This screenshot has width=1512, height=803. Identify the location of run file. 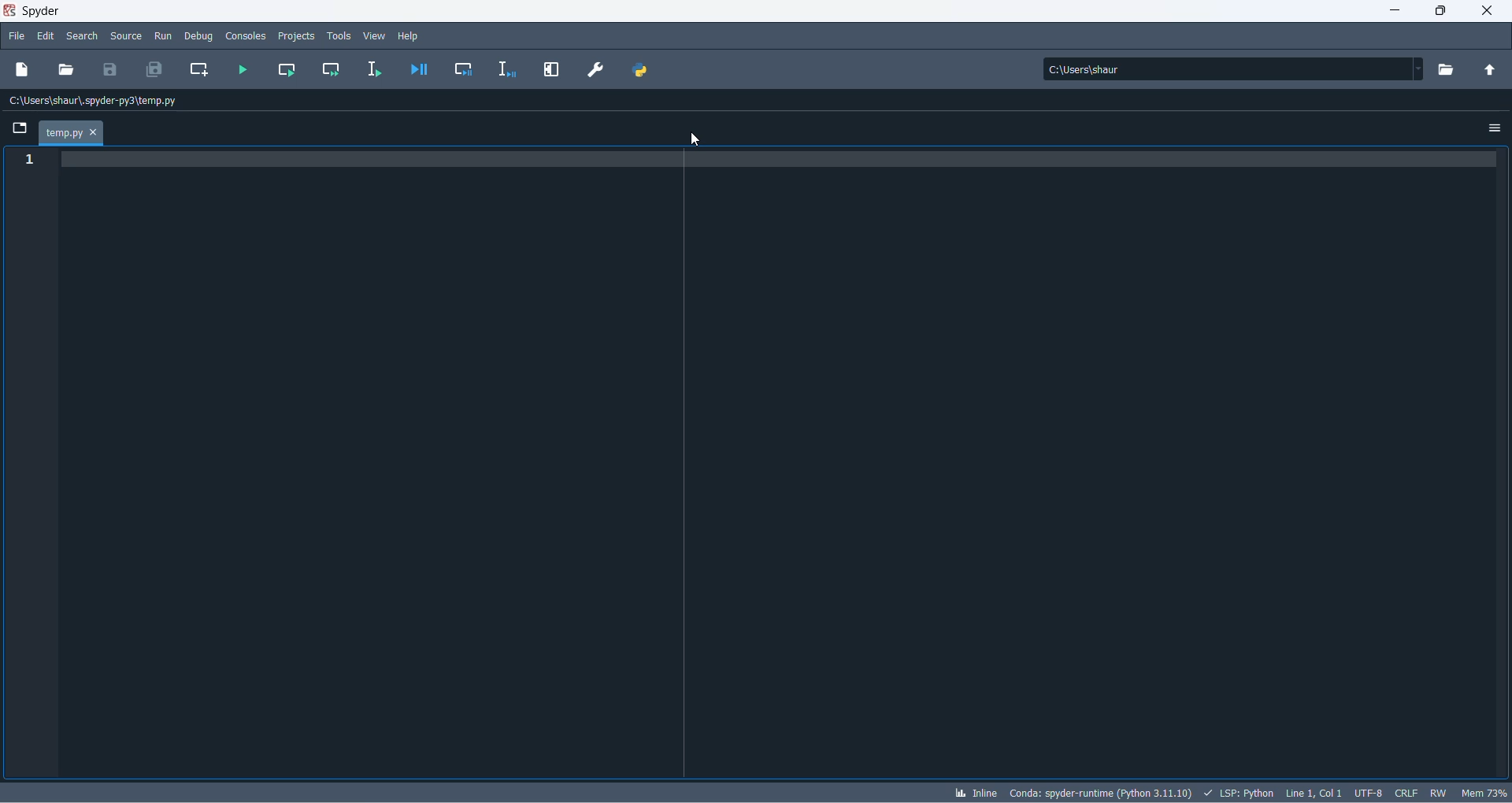
(239, 70).